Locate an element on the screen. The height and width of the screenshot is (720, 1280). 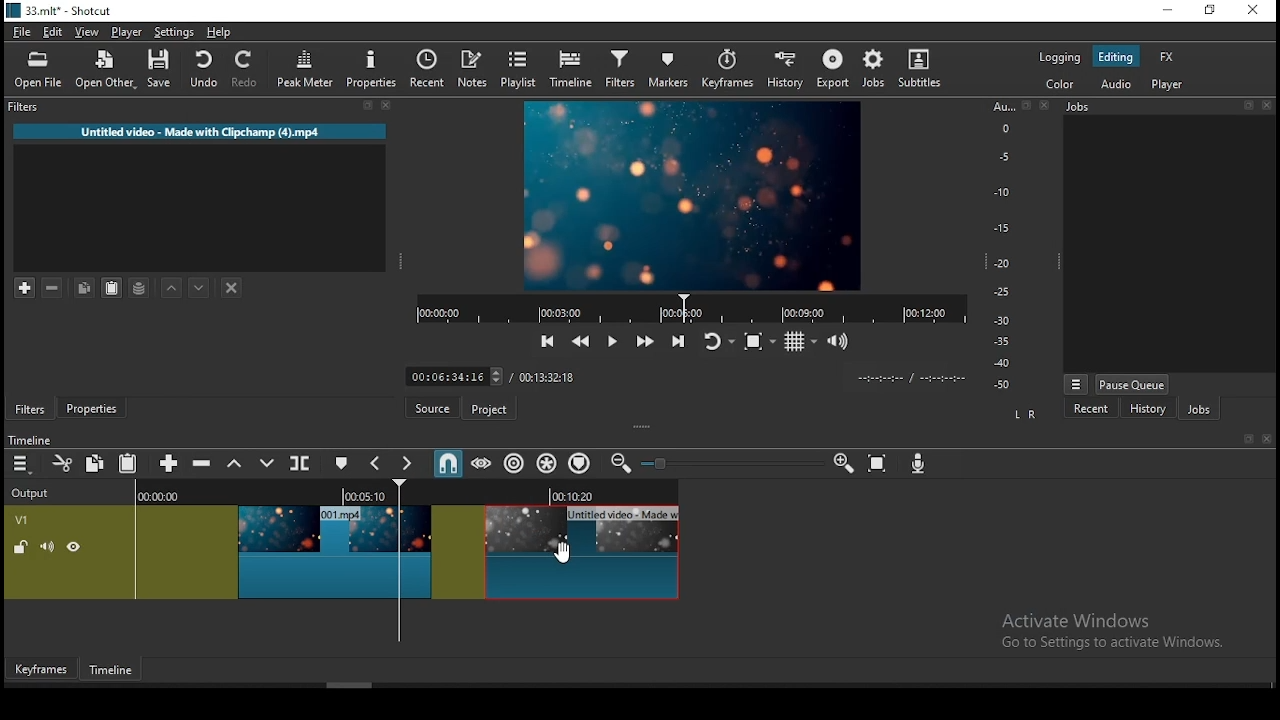
notes is located at coordinates (475, 69).